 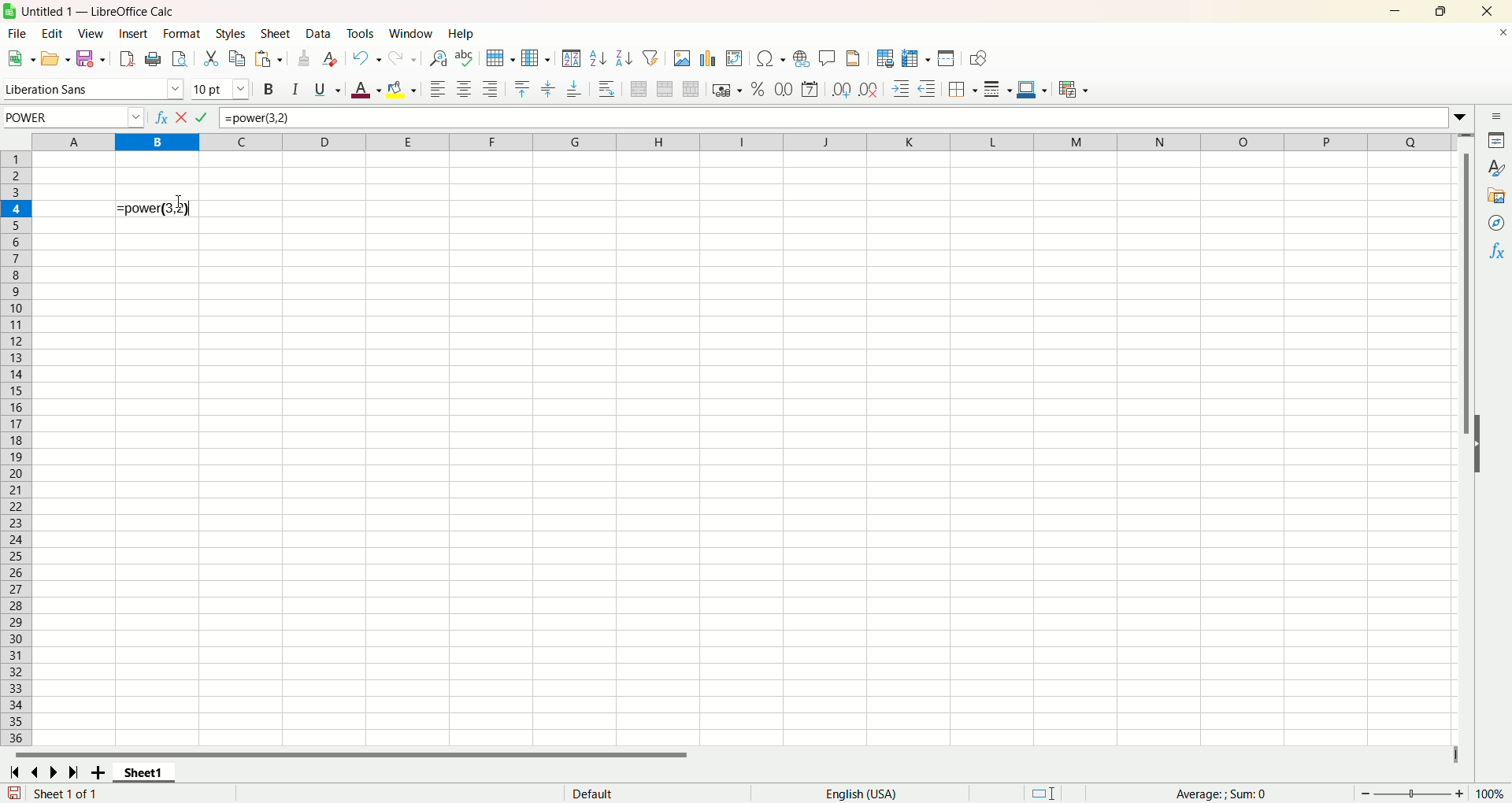 What do you see at coordinates (239, 58) in the screenshot?
I see `copy` at bounding box center [239, 58].